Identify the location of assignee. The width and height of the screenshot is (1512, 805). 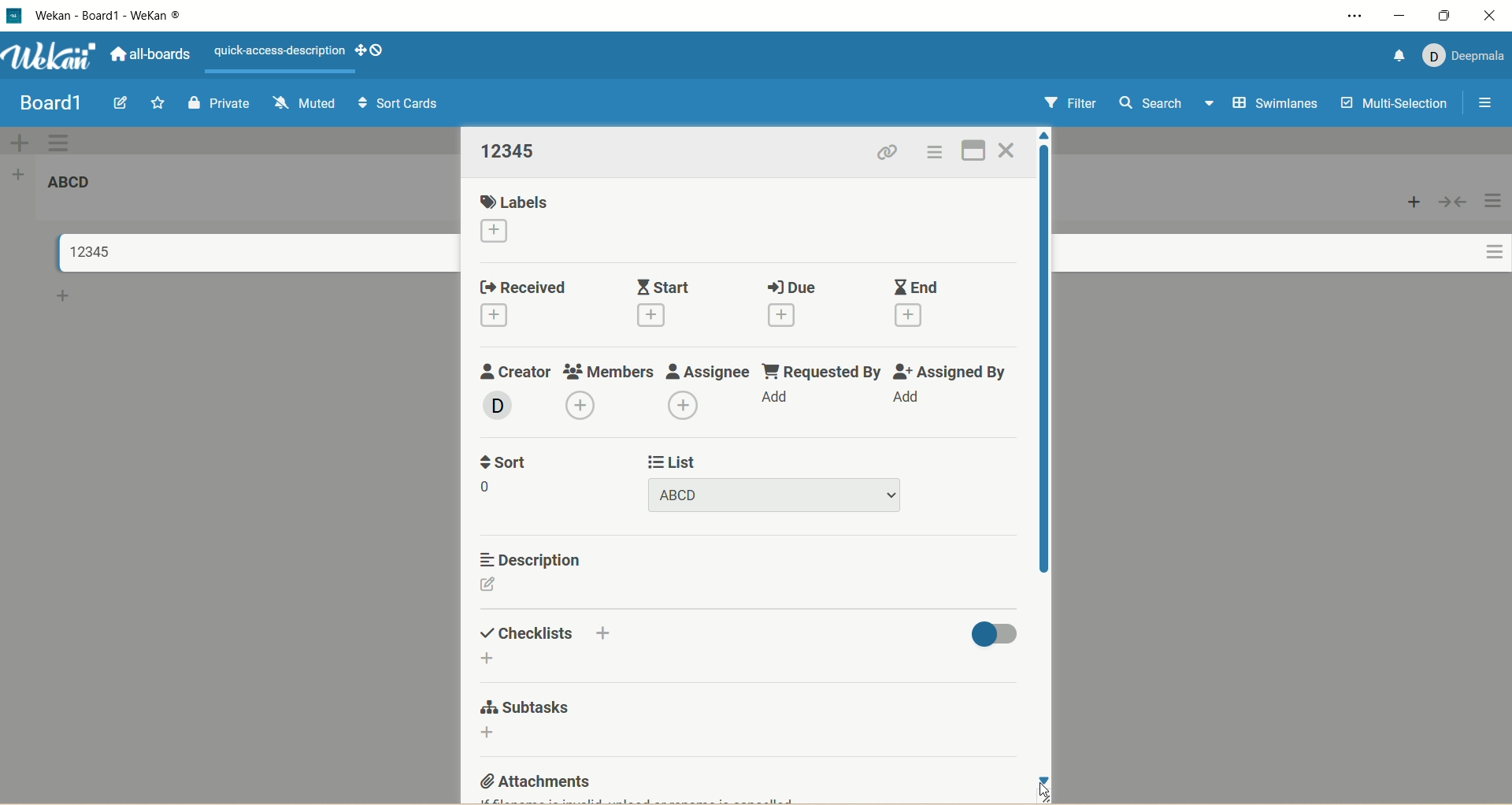
(707, 371).